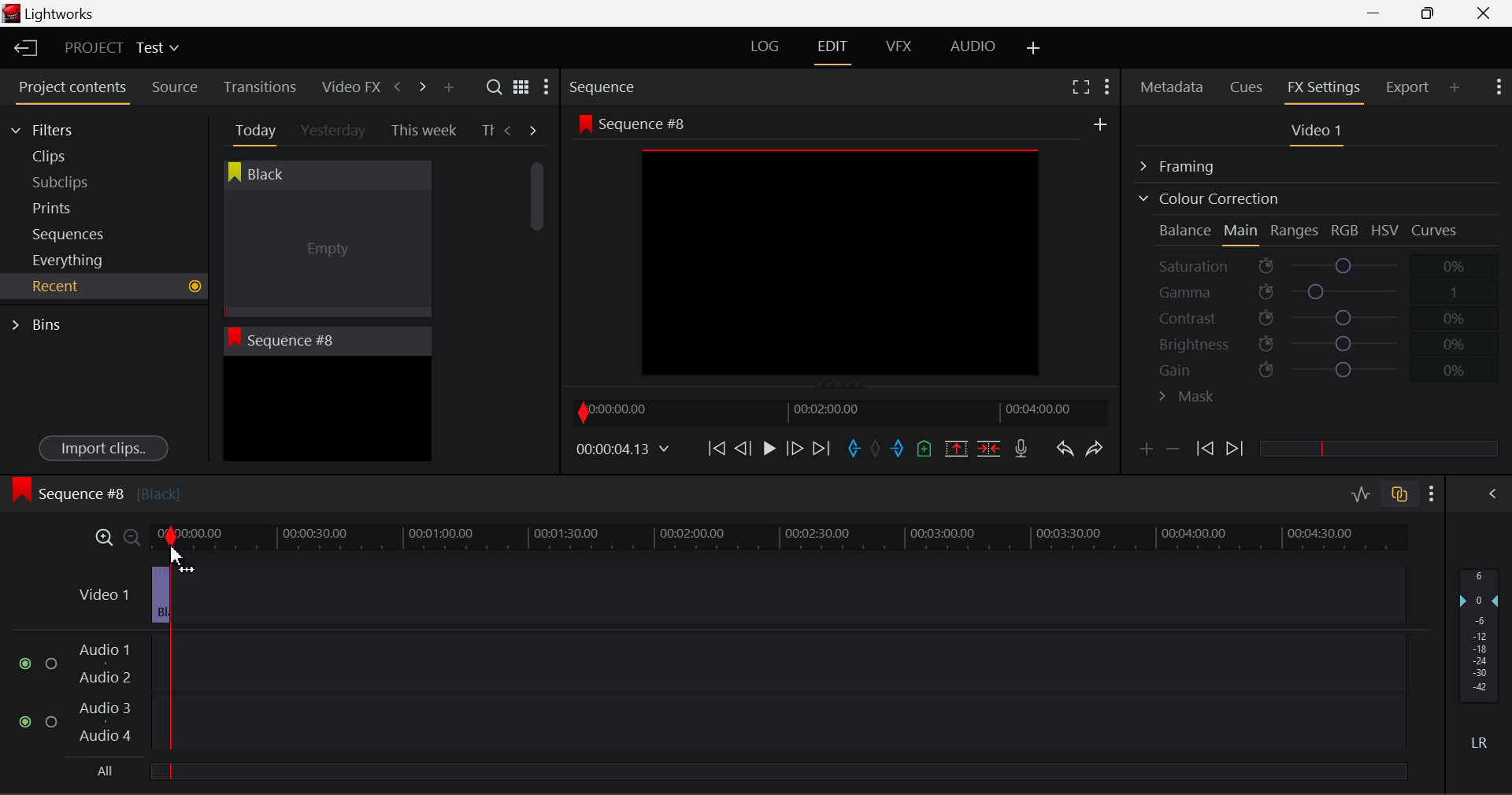 The image size is (1512, 795). Describe the element at coordinates (487, 131) in the screenshot. I see `Th` at that location.